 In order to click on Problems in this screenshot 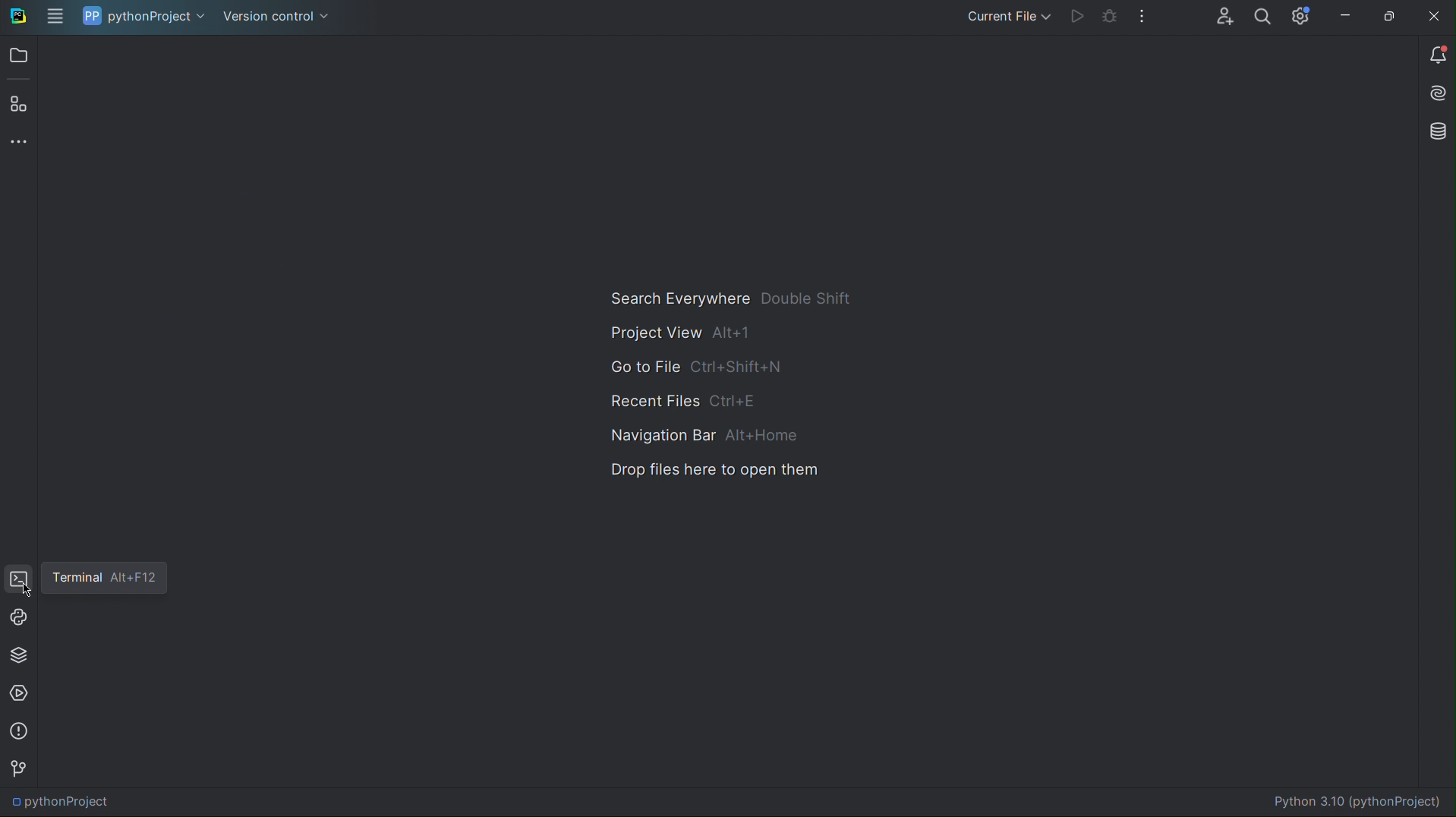, I will do `click(19, 730)`.